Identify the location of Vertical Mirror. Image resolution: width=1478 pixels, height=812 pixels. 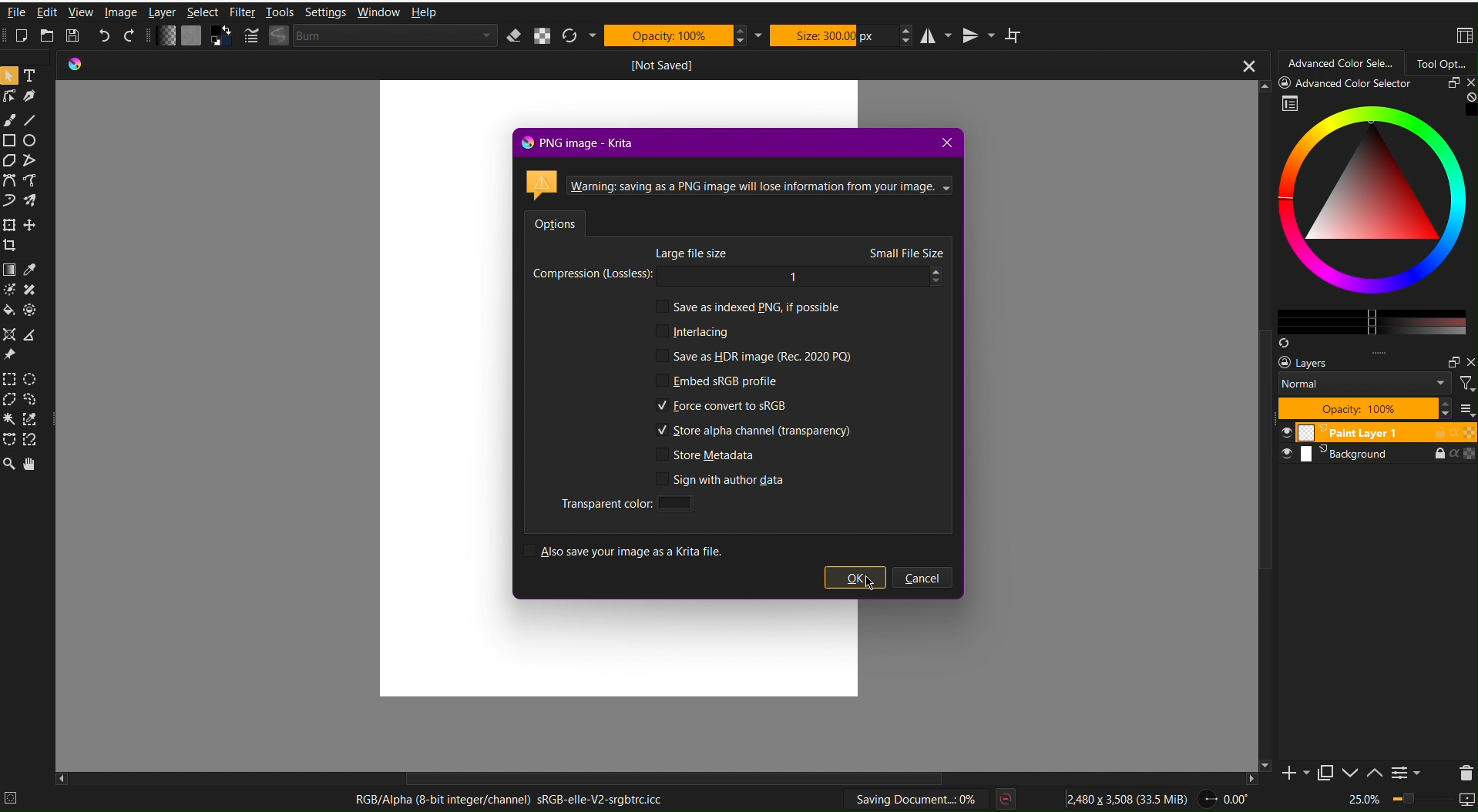
(977, 34).